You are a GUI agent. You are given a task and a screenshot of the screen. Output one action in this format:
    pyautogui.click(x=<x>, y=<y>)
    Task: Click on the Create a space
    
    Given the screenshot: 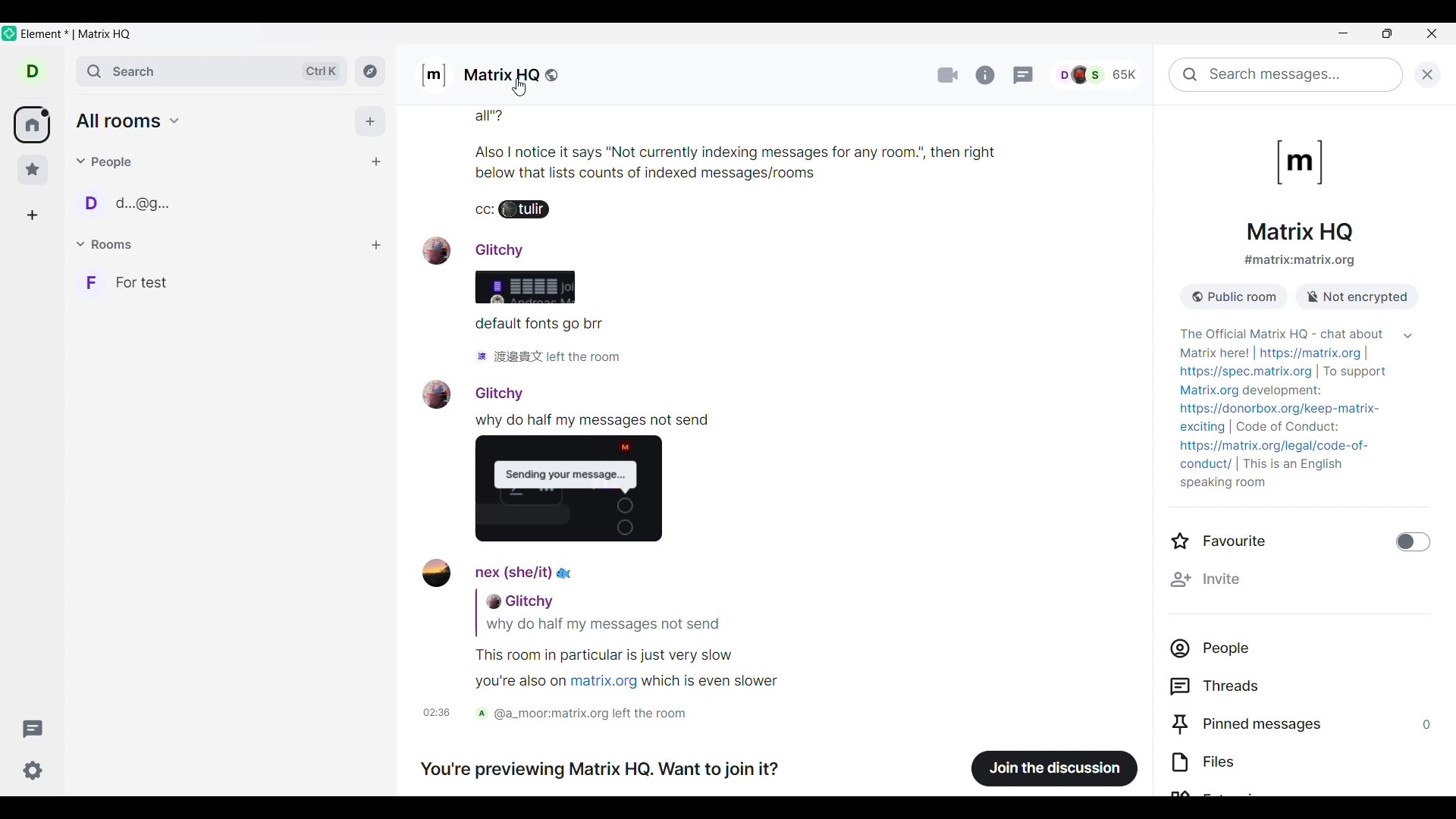 What is the action you would take?
    pyautogui.click(x=32, y=215)
    